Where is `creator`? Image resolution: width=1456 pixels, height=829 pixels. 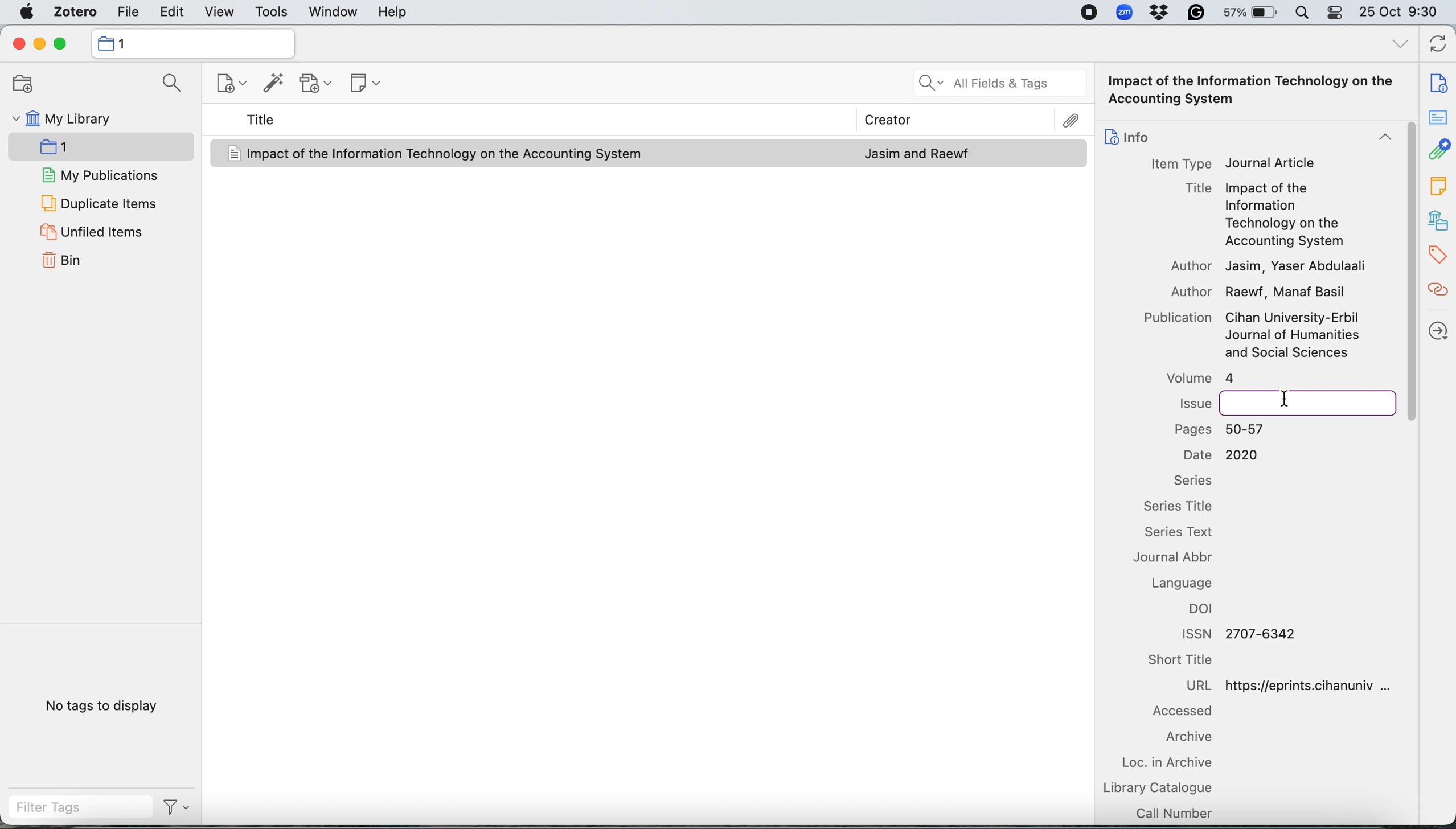
creator is located at coordinates (1052, 121).